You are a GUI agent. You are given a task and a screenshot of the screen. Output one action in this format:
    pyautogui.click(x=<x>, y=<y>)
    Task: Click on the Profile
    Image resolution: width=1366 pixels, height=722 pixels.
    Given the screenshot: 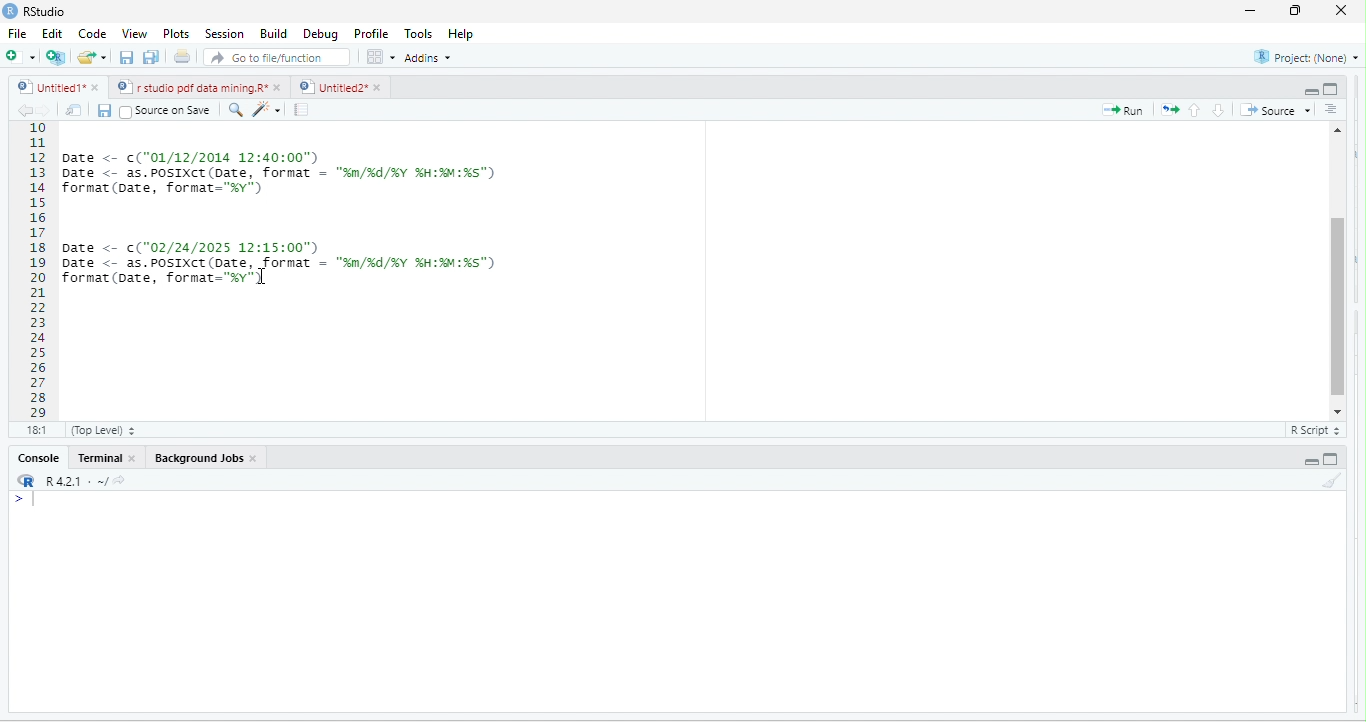 What is the action you would take?
    pyautogui.click(x=368, y=33)
    